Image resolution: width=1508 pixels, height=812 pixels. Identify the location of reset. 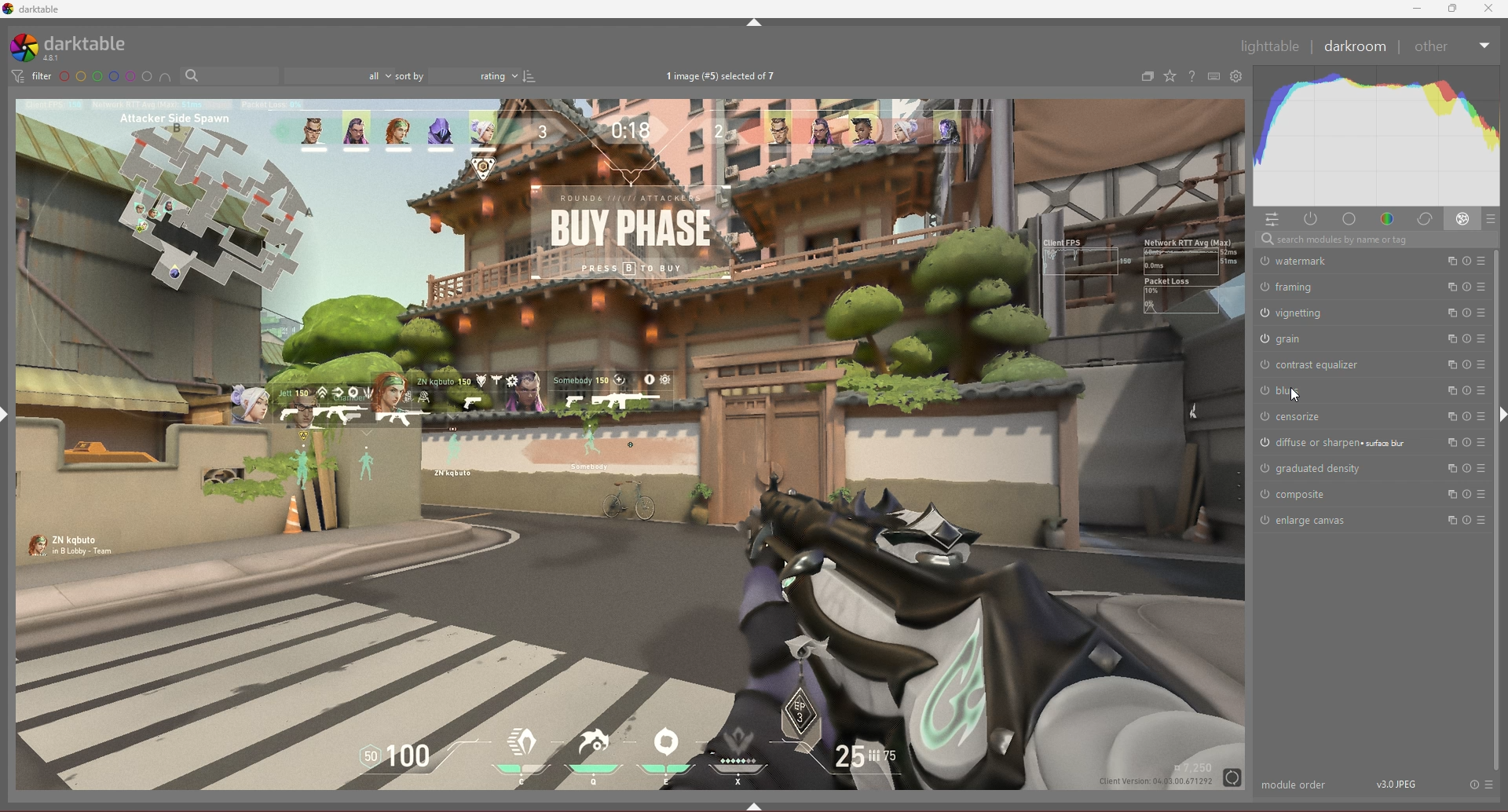
(1466, 520).